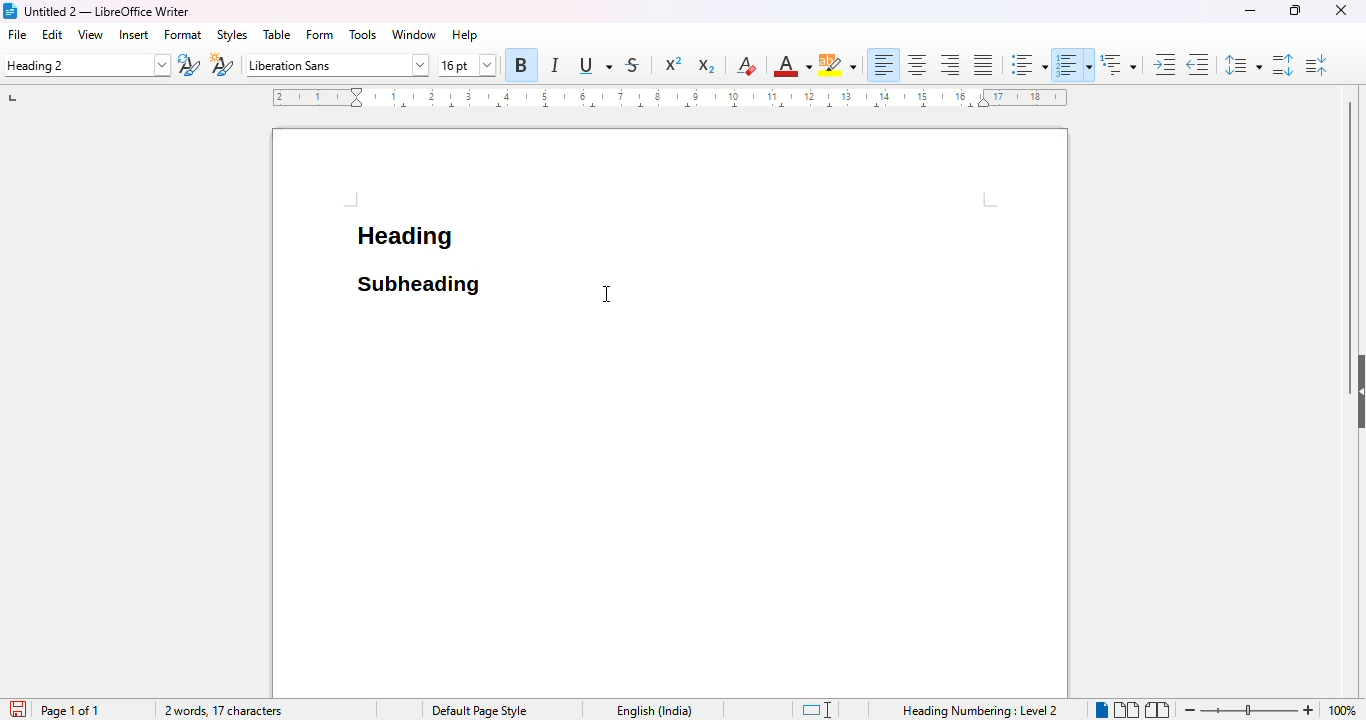  I want to click on set line spacing, so click(1241, 65).